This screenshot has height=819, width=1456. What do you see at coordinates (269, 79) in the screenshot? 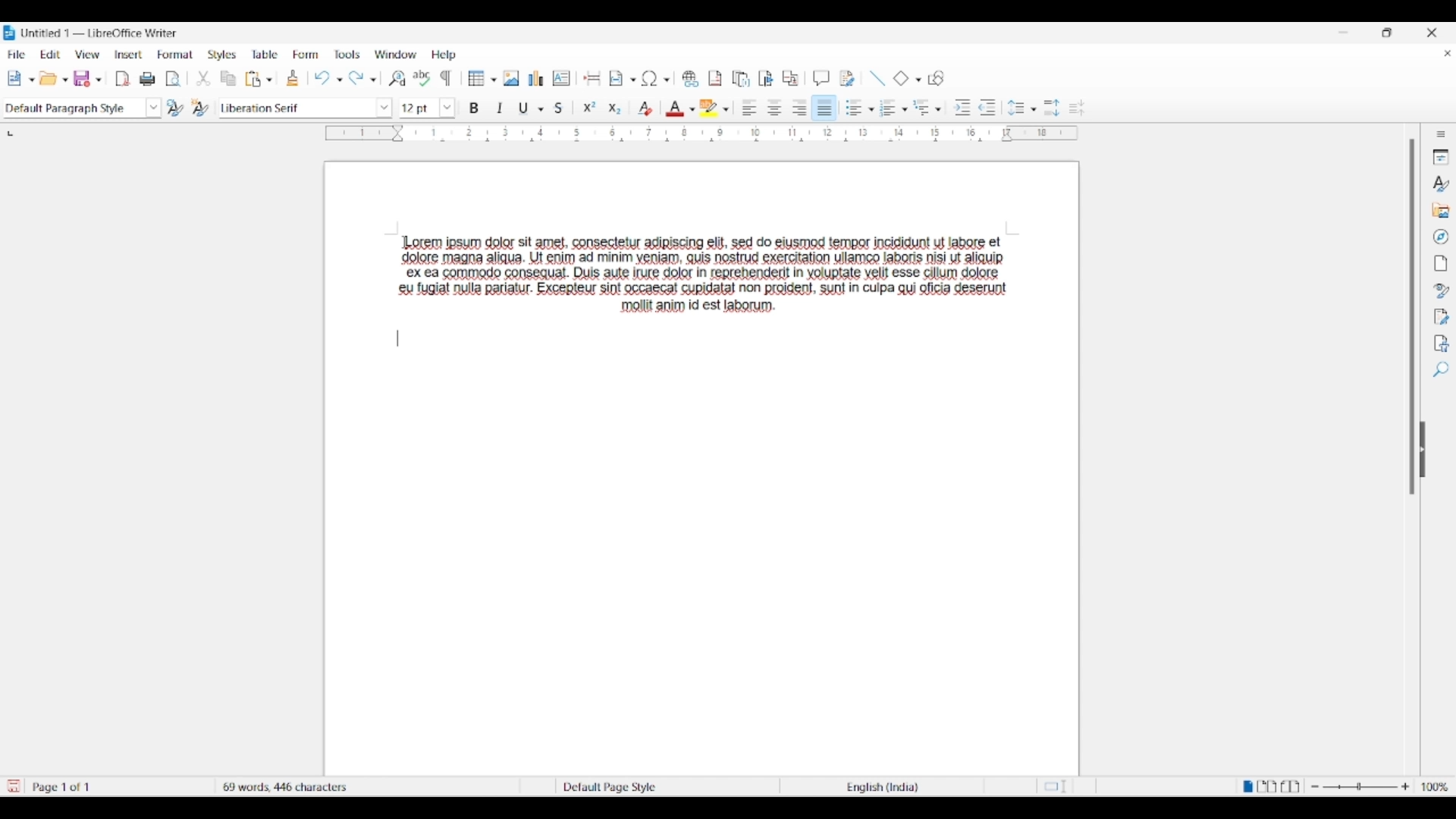
I see `Paste options` at bounding box center [269, 79].